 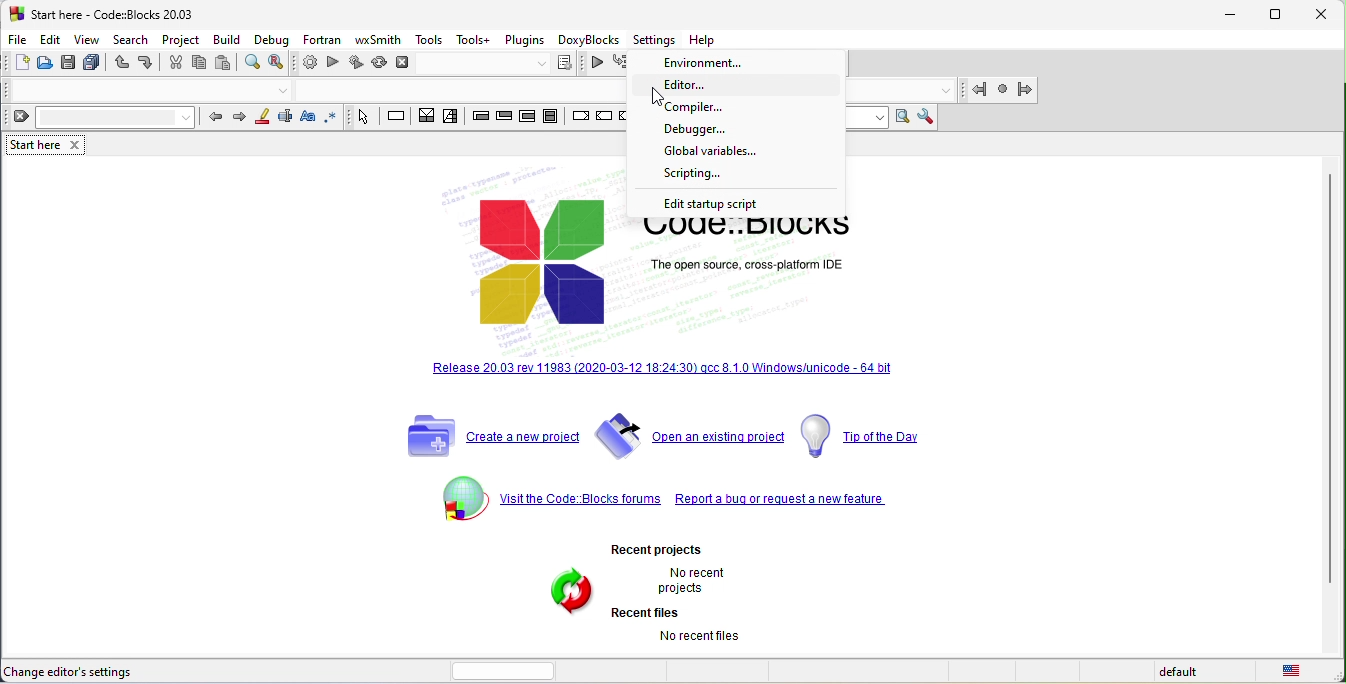 What do you see at coordinates (647, 590) in the screenshot?
I see `recent projects` at bounding box center [647, 590].